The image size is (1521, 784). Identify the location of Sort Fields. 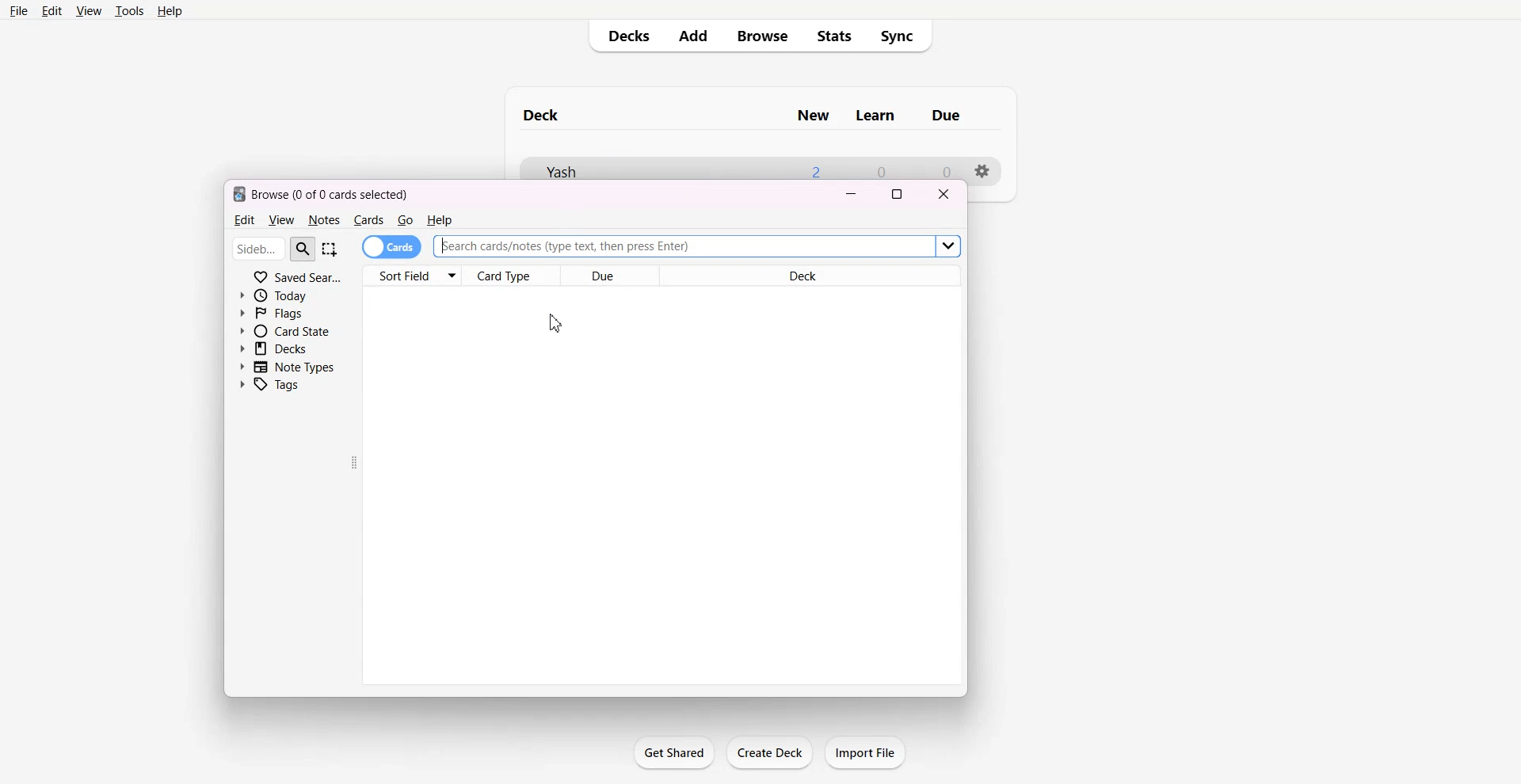
(412, 276).